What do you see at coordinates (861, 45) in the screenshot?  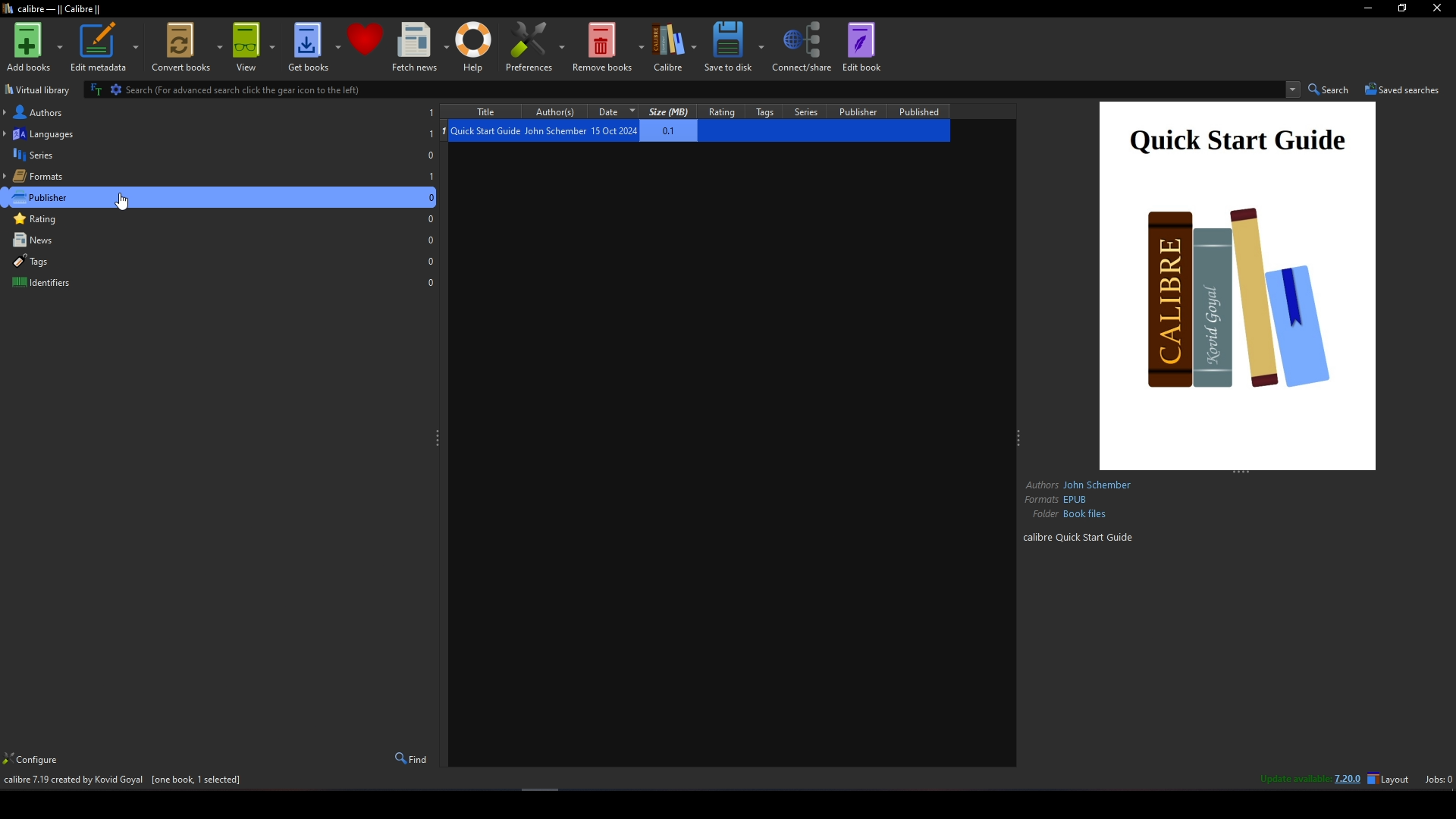 I see `Edit book` at bounding box center [861, 45].